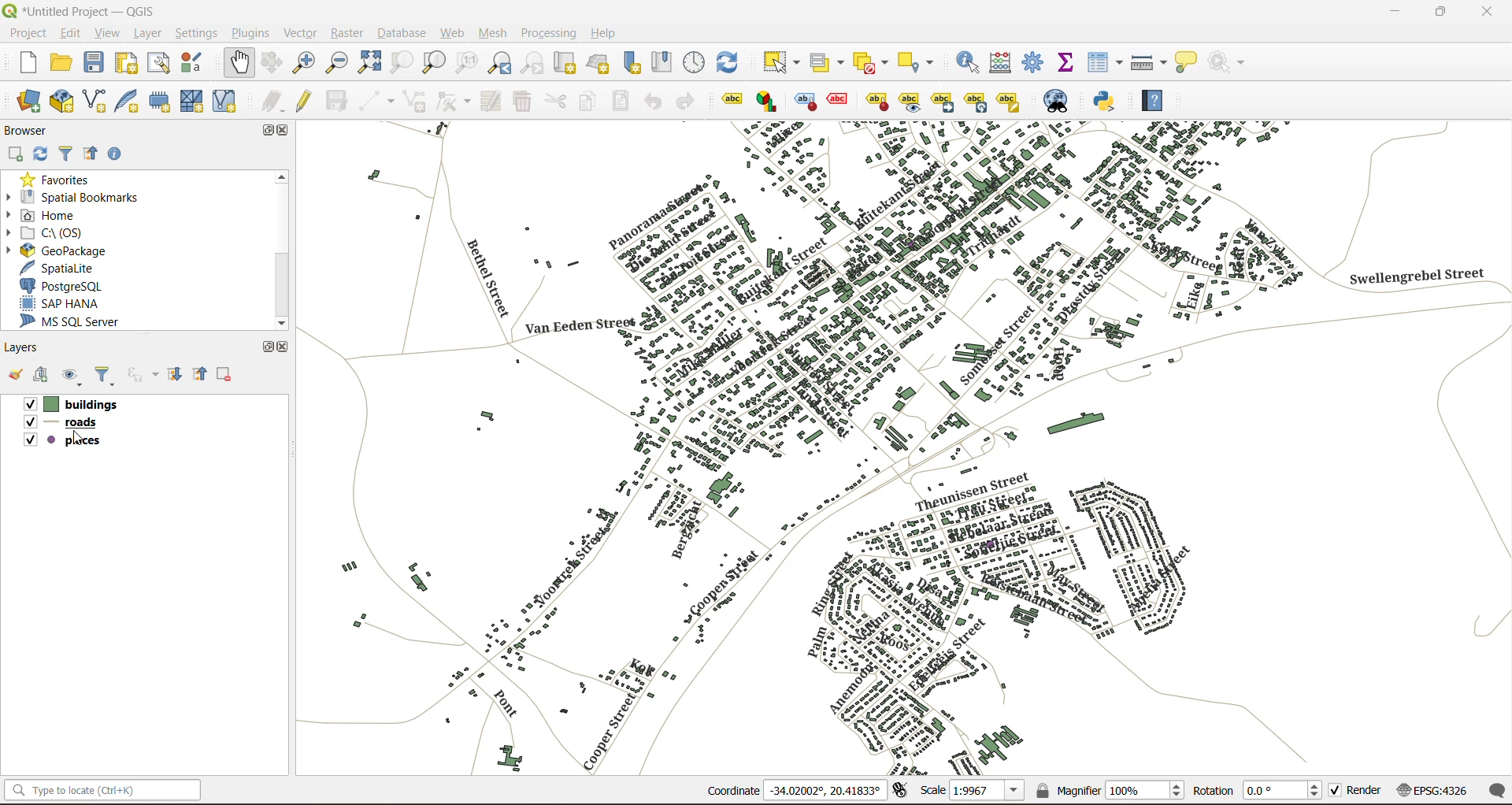 Image resolution: width=1512 pixels, height=805 pixels. What do you see at coordinates (28, 350) in the screenshot?
I see `layers` at bounding box center [28, 350].